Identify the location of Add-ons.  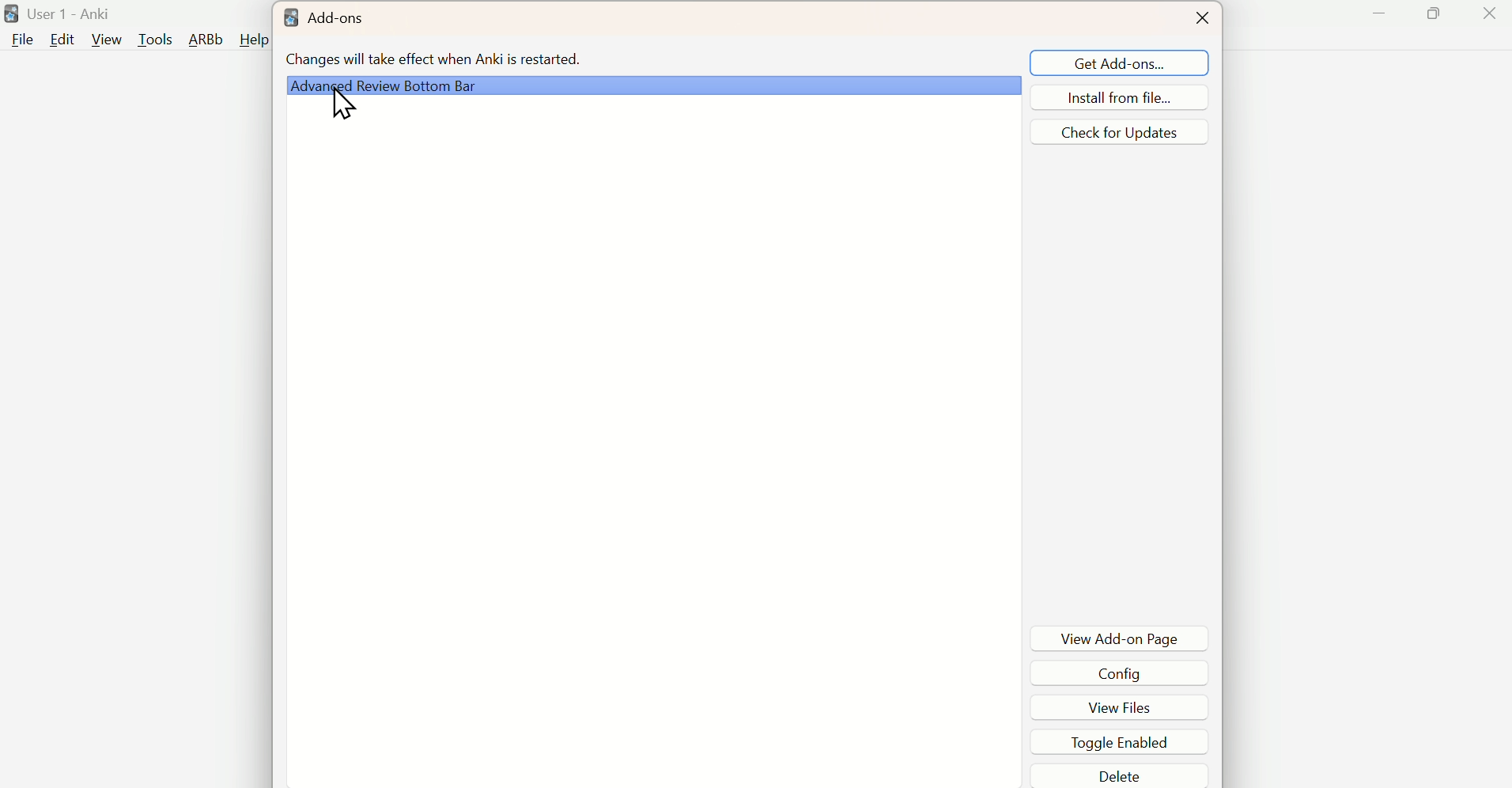
(323, 18).